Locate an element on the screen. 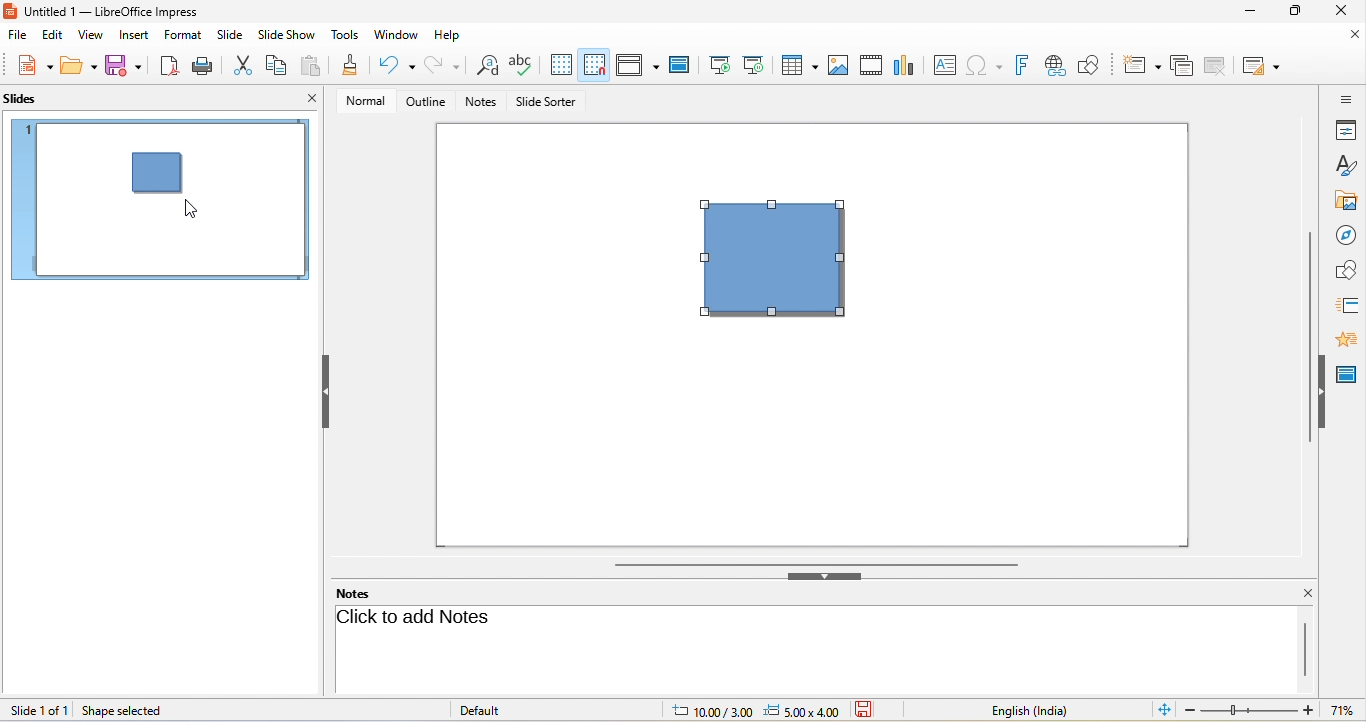 This screenshot has height=722, width=1366. hide is located at coordinates (829, 579).